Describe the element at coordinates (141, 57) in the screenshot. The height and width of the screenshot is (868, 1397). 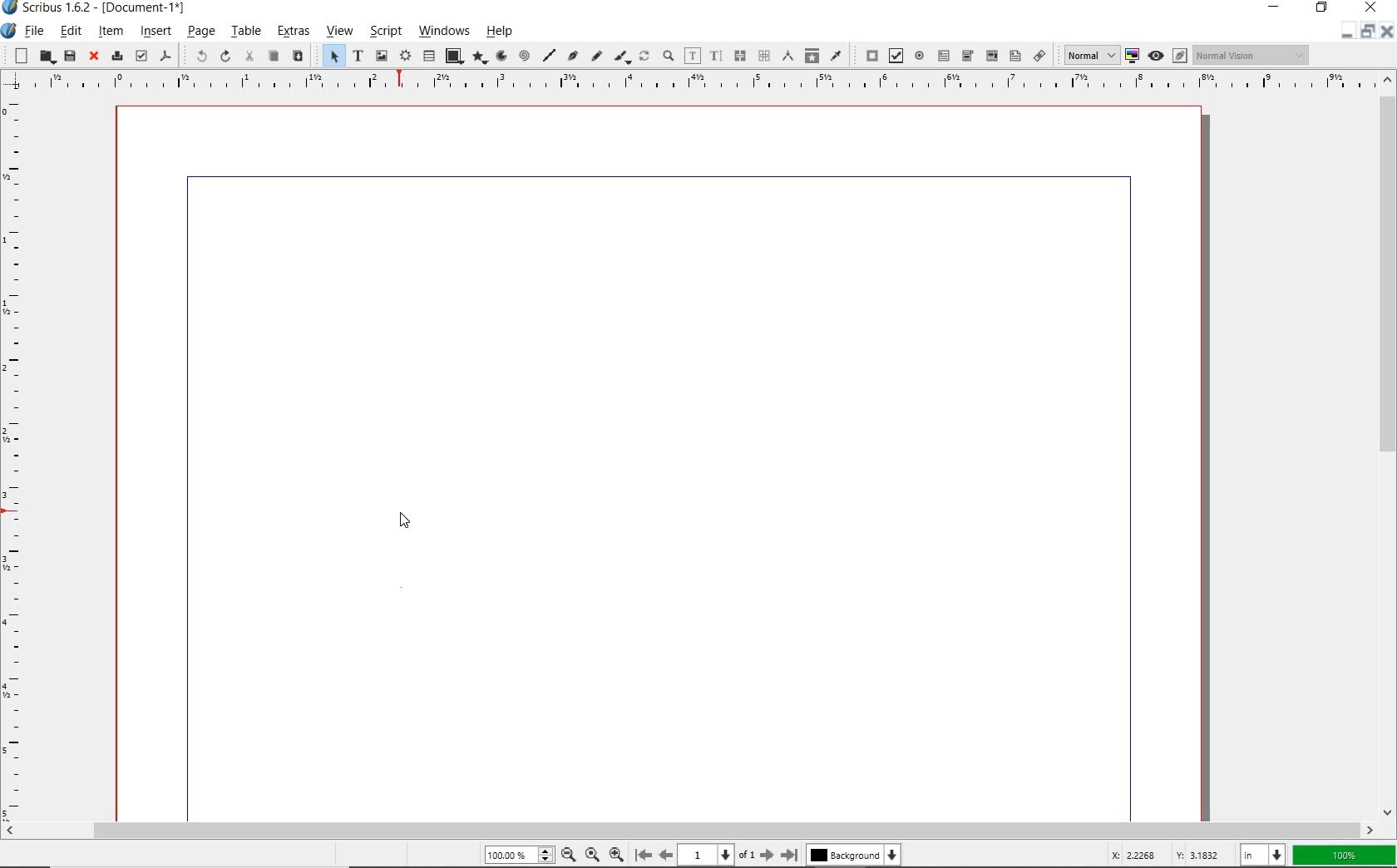
I see `preflight verifier` at that location.